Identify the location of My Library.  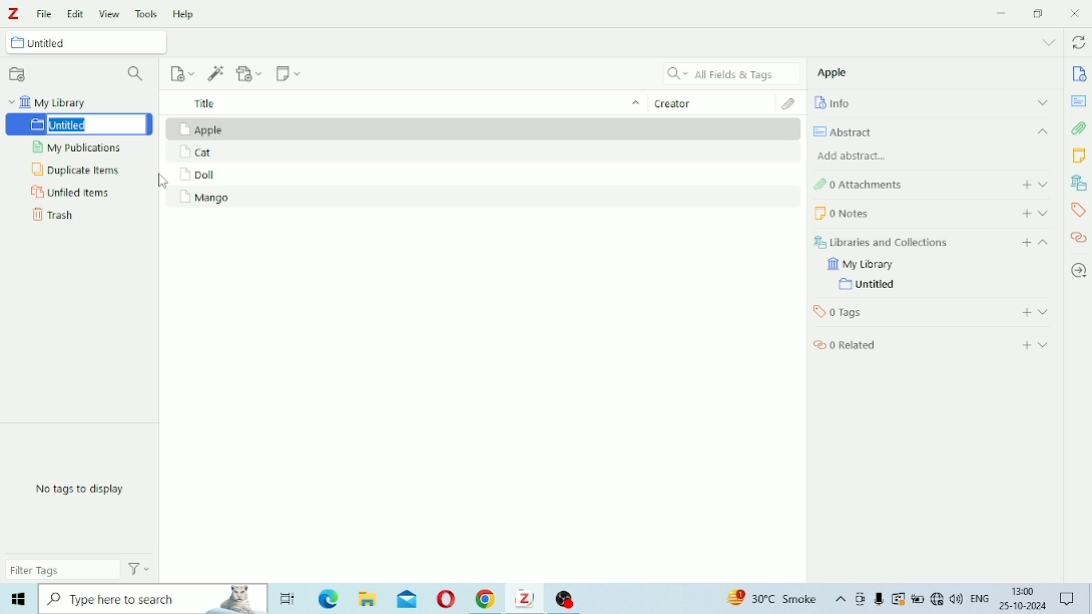
(50, 100).